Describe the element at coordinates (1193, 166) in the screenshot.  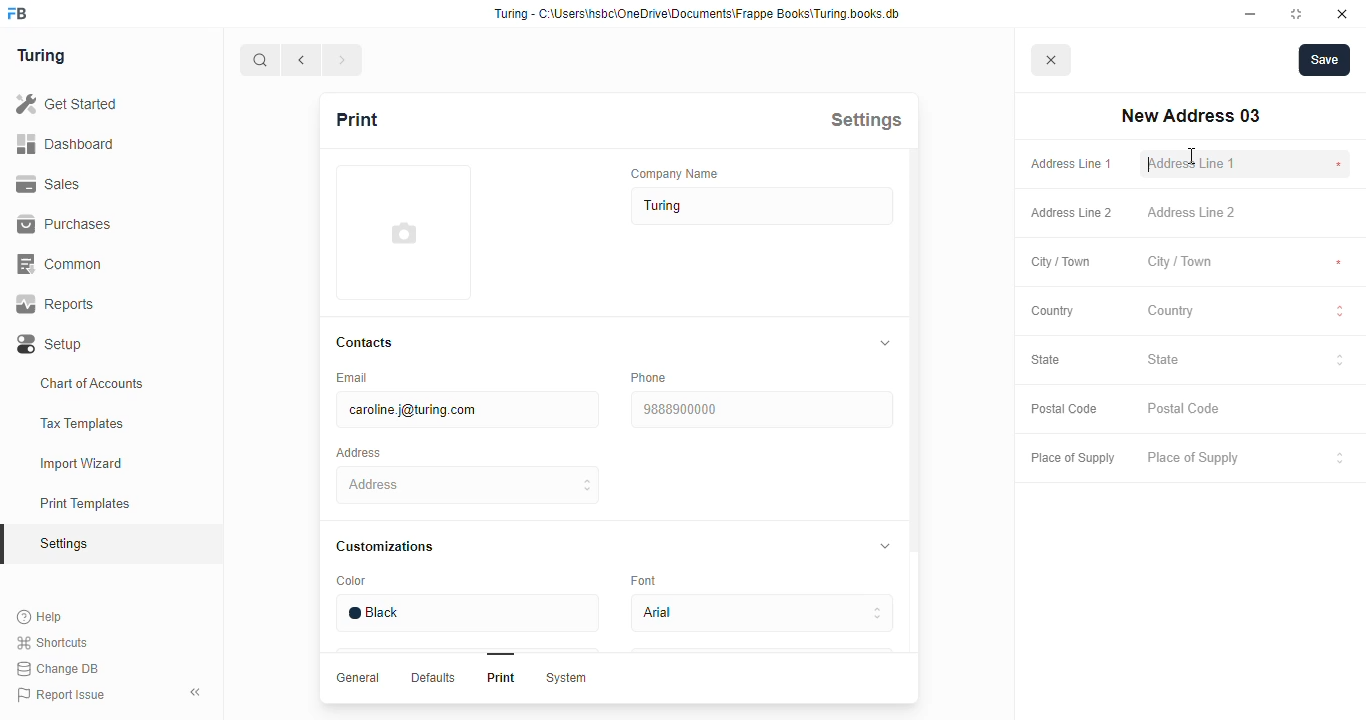
I see `address line 1 - typing` at that location.